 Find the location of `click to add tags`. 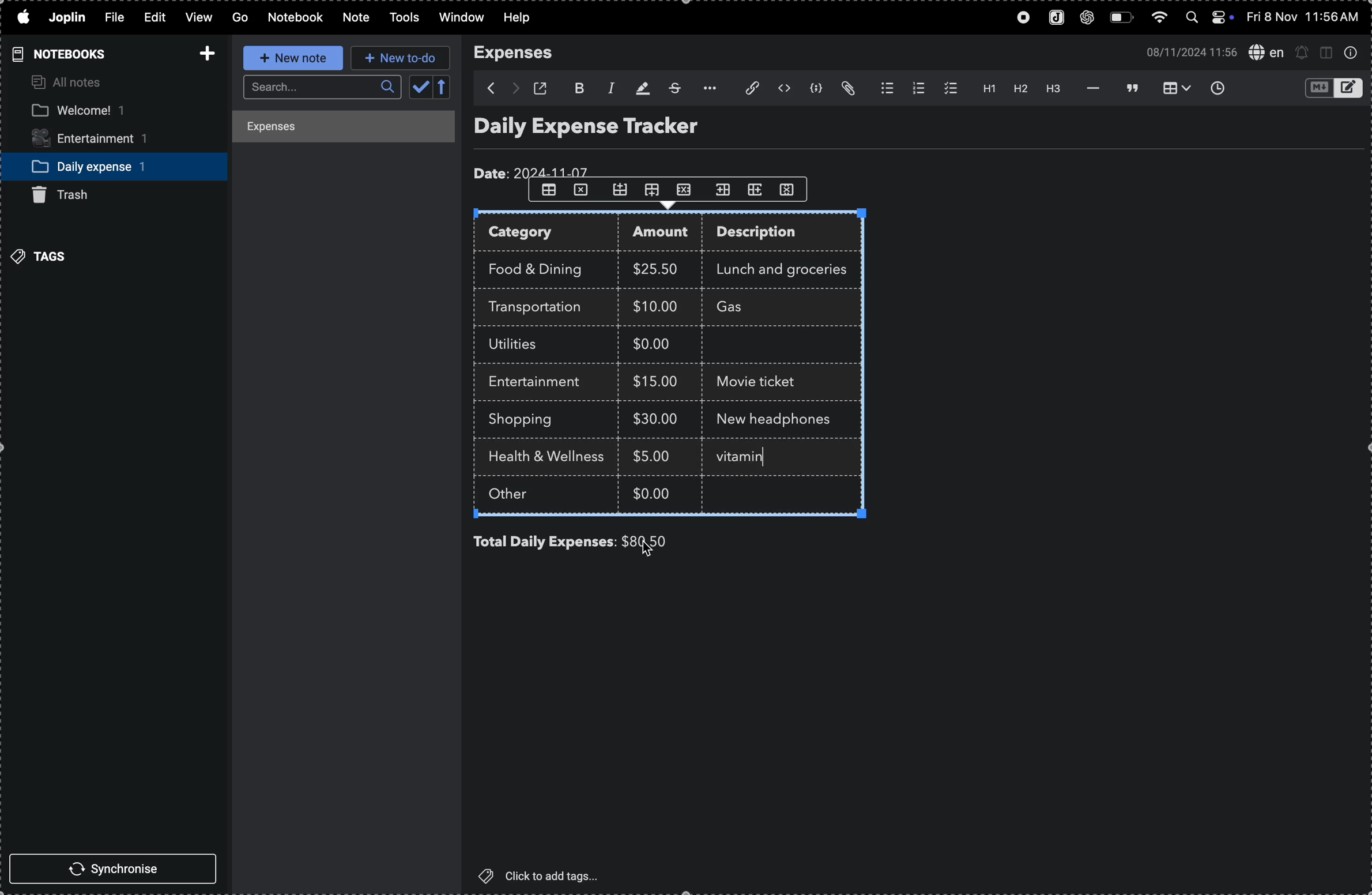

click to add tags is located at coordinates (546, 875).